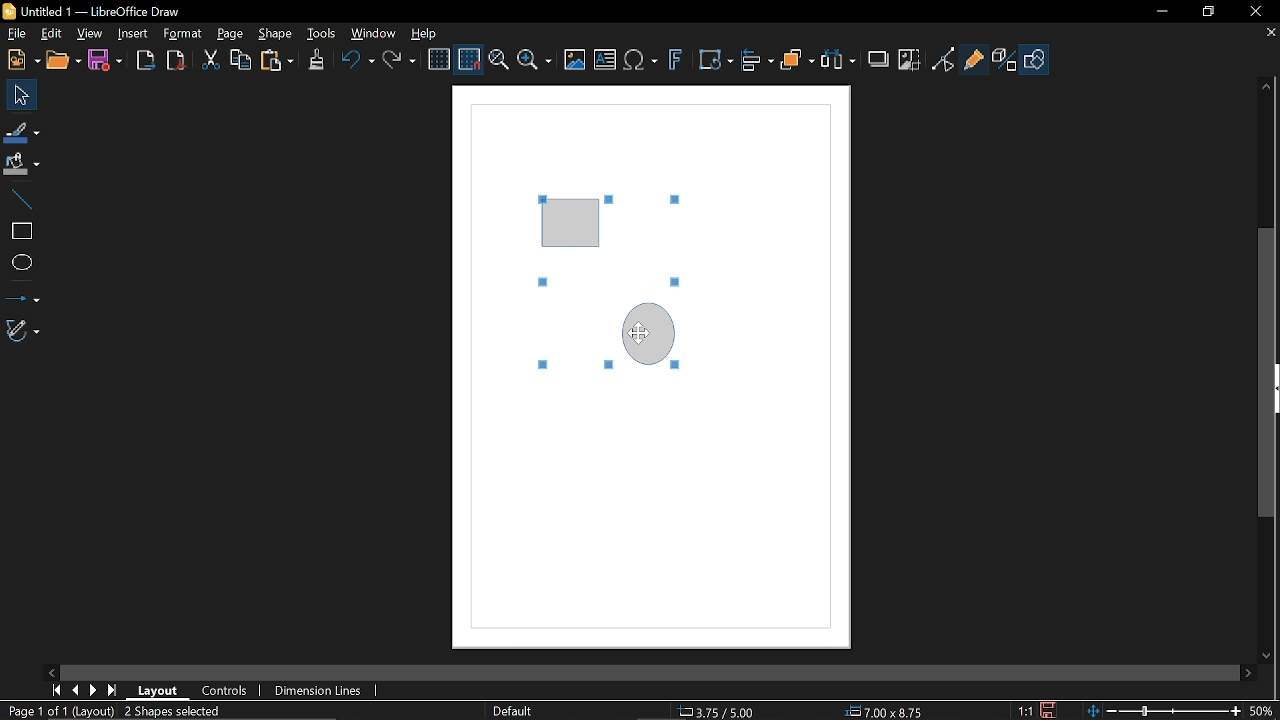  What do you see at coordinates (100, 11) in the screenshot?
I see `Current window` at bounding box center [100, 11].